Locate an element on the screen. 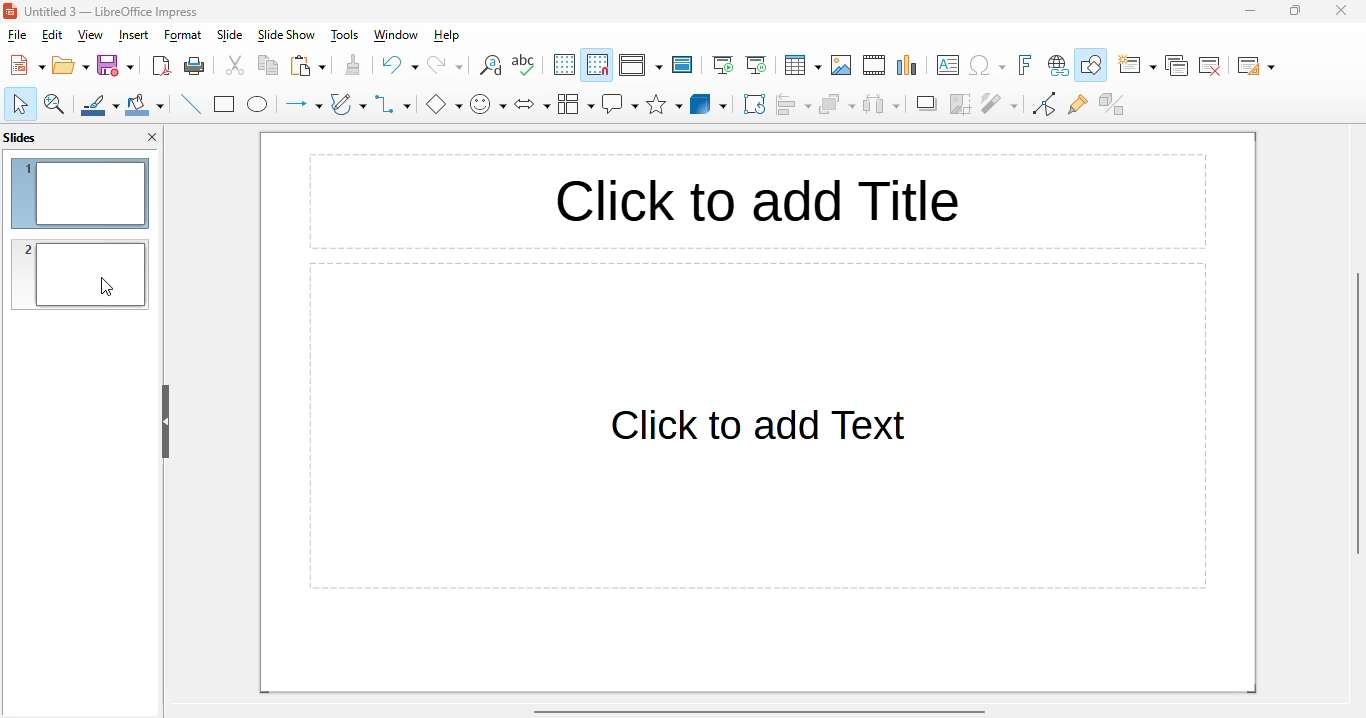  table is located at coordinates (802, 65).